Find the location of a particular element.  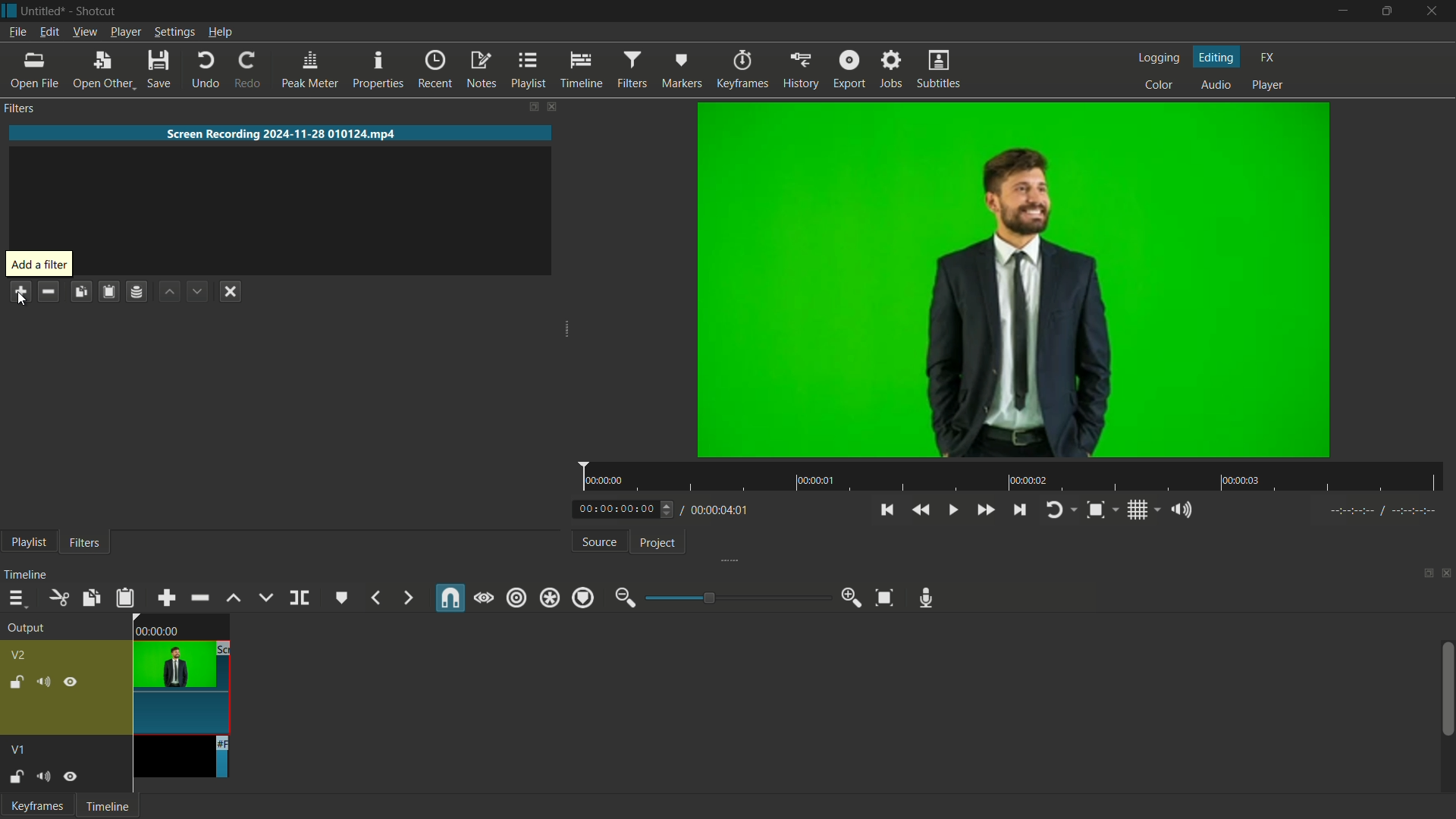

Close is located at coordinates (1432, 8).